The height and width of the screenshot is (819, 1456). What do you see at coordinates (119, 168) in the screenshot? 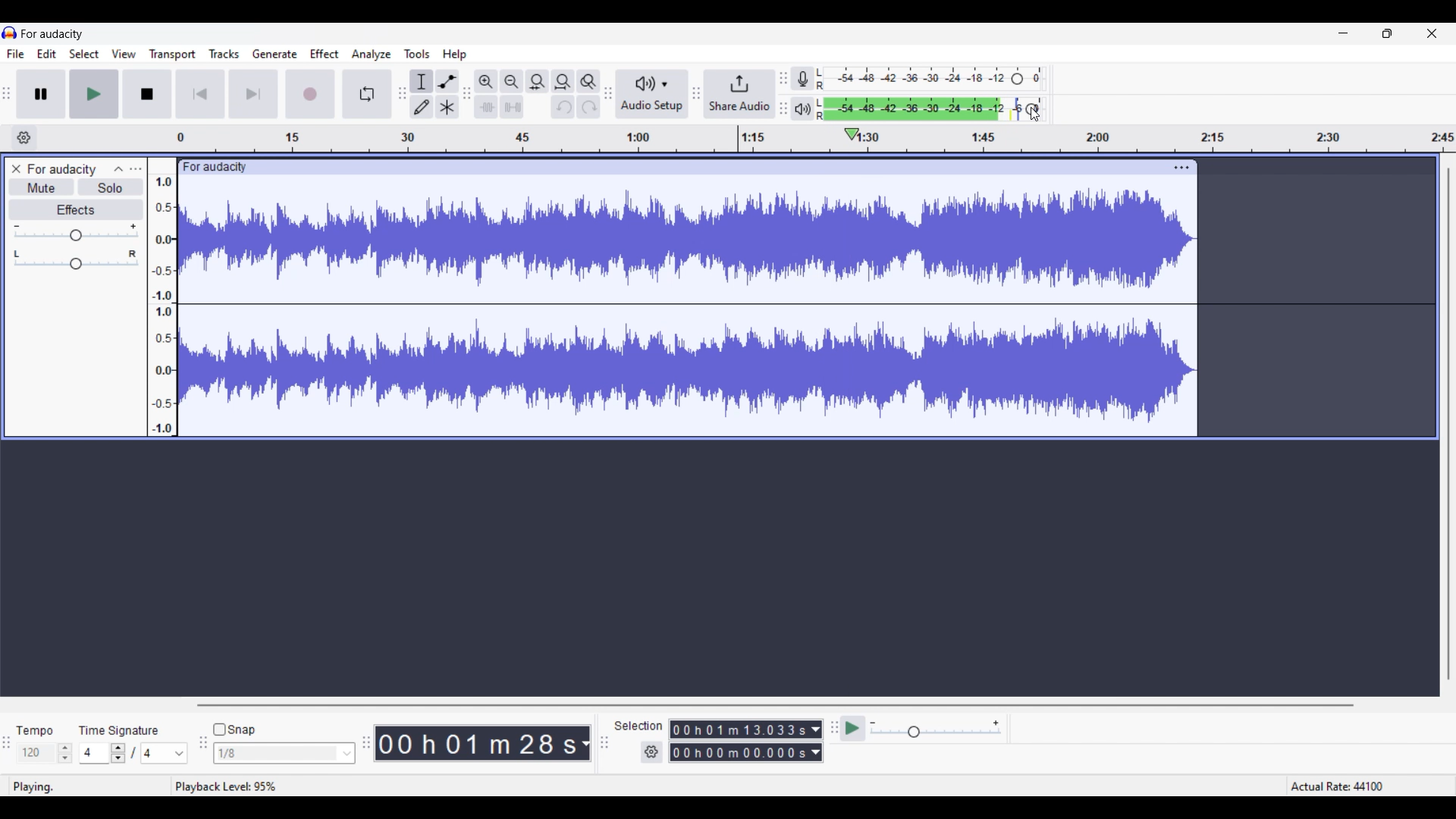
I see `Collapse` at bounding box center [119, 168].